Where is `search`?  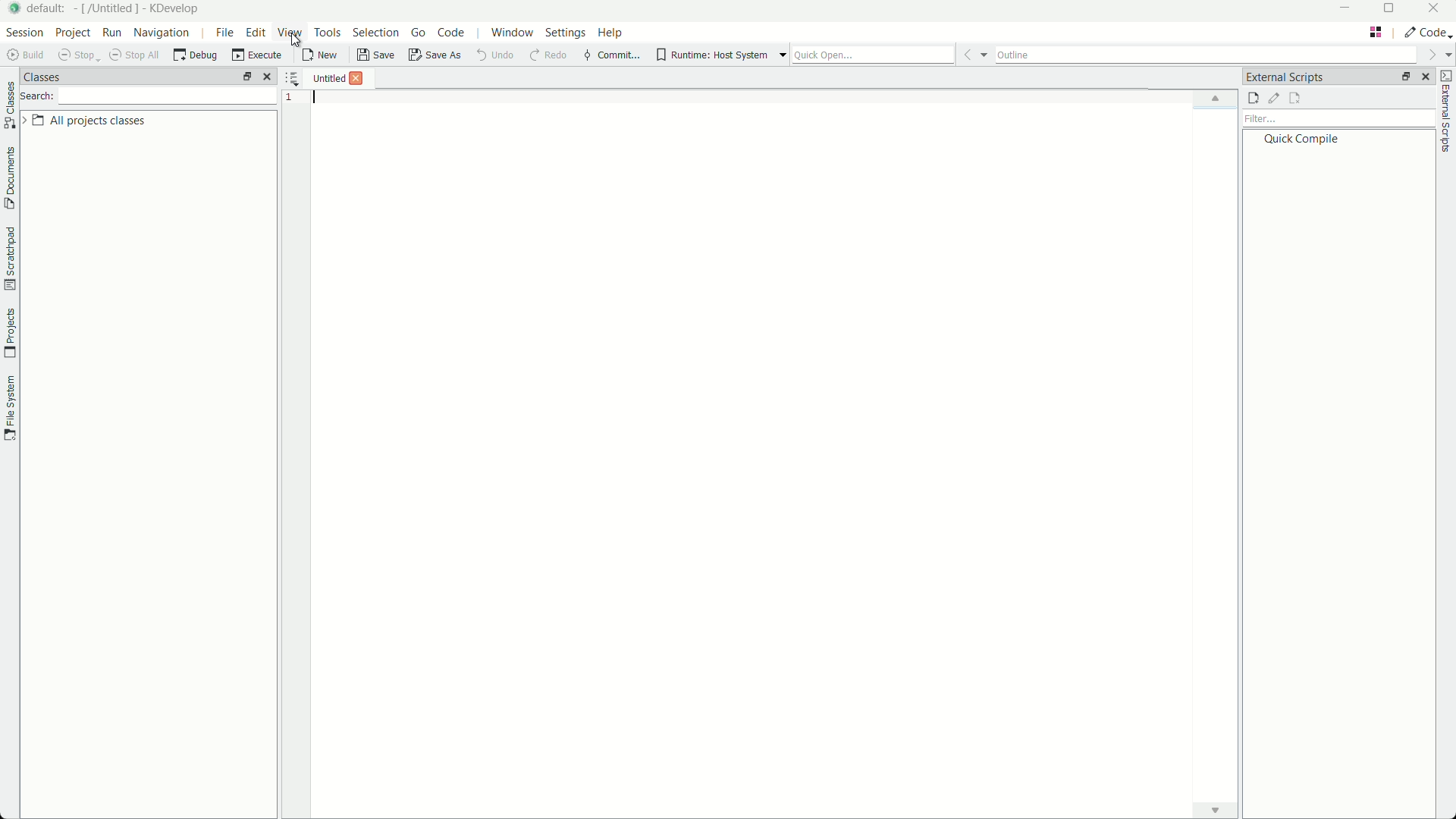 search is located at coordinates (147, 97).